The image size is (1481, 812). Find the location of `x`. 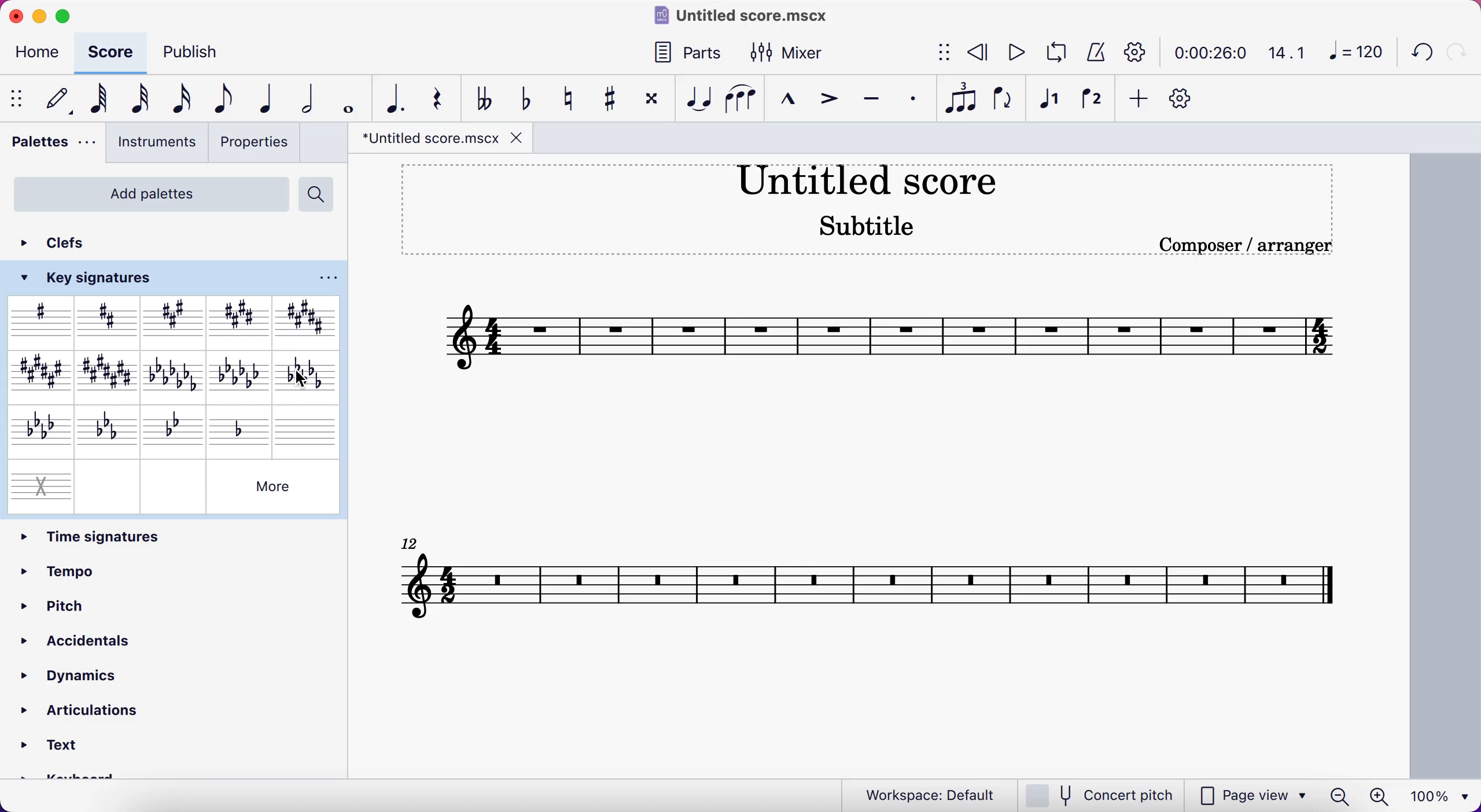

x is located at coordinates (39, 483).